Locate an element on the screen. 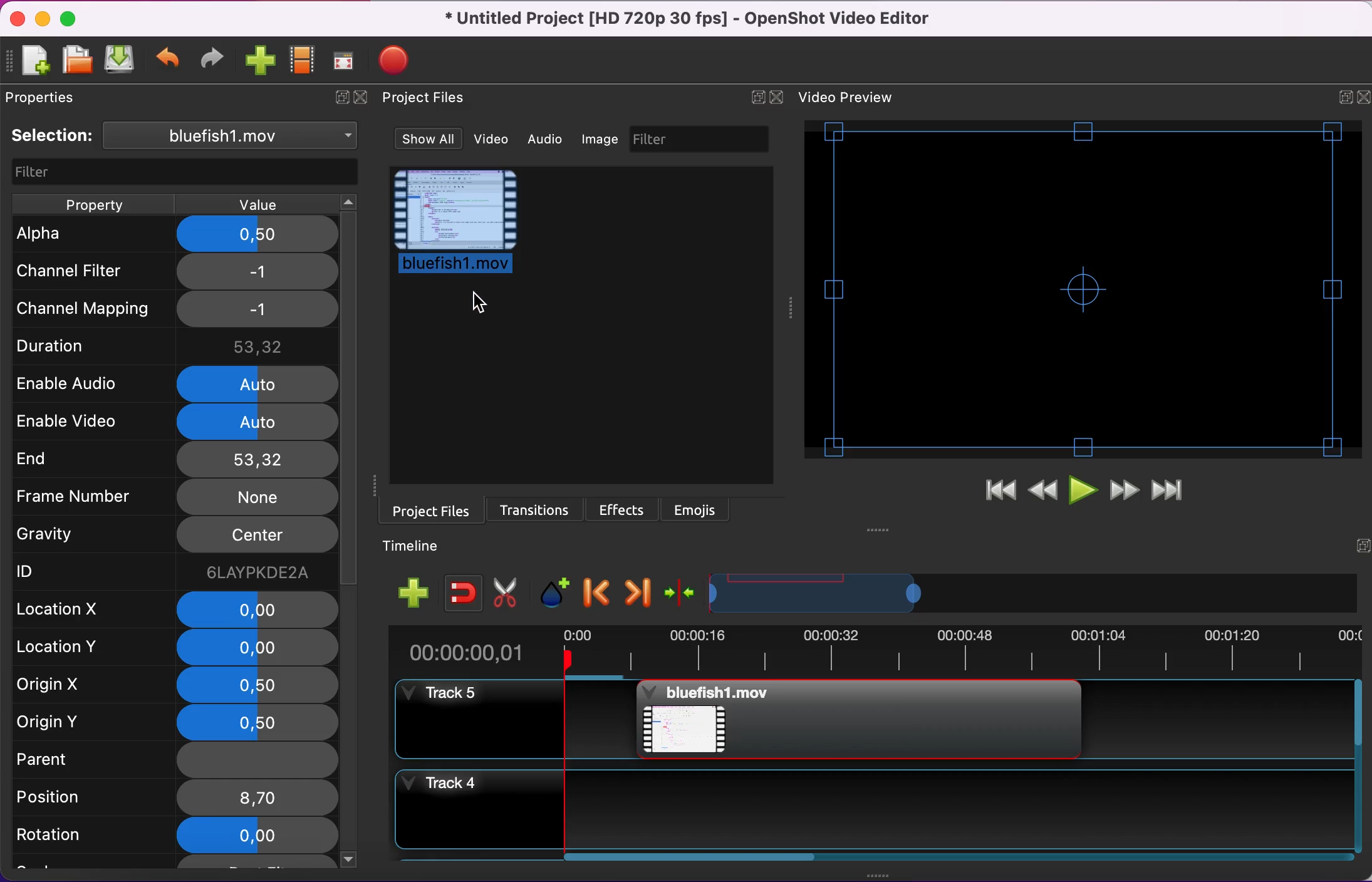 The image size is (1372, 882). gravity is located at coordinates (81, 539).